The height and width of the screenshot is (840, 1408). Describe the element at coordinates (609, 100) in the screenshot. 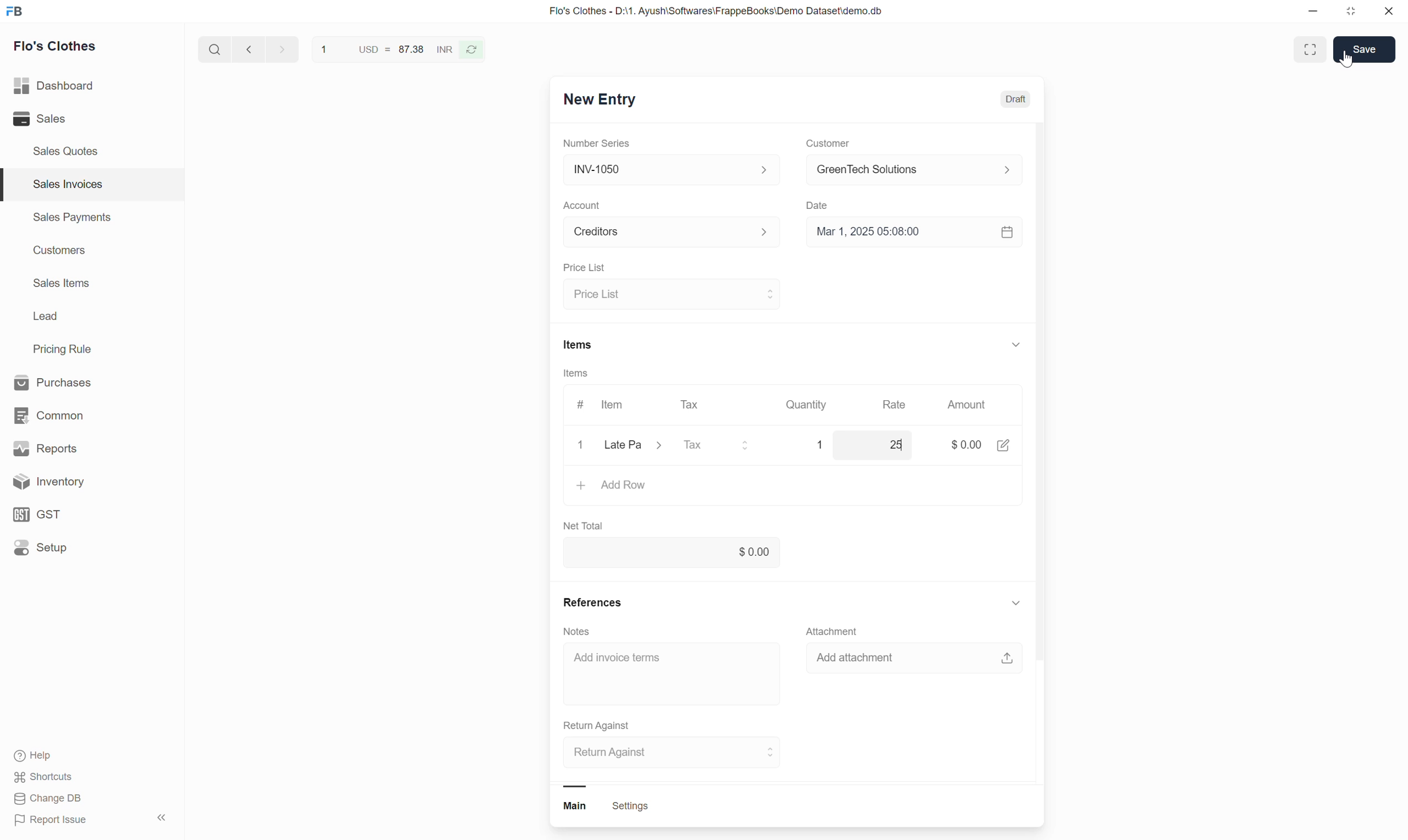

I see `New Entry` at that location.